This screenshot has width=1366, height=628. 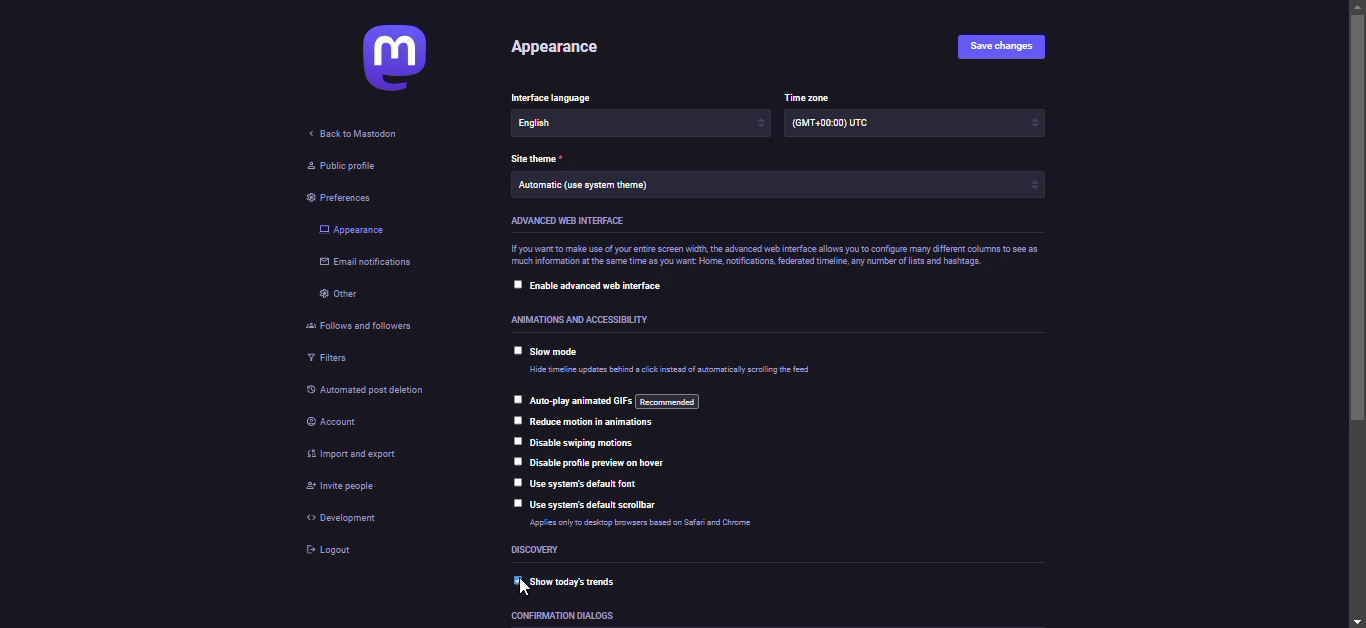 What do you see at coordinates (591, 484) in the screenshot?
I see `use system's default font` at bounding box center [591, 484].